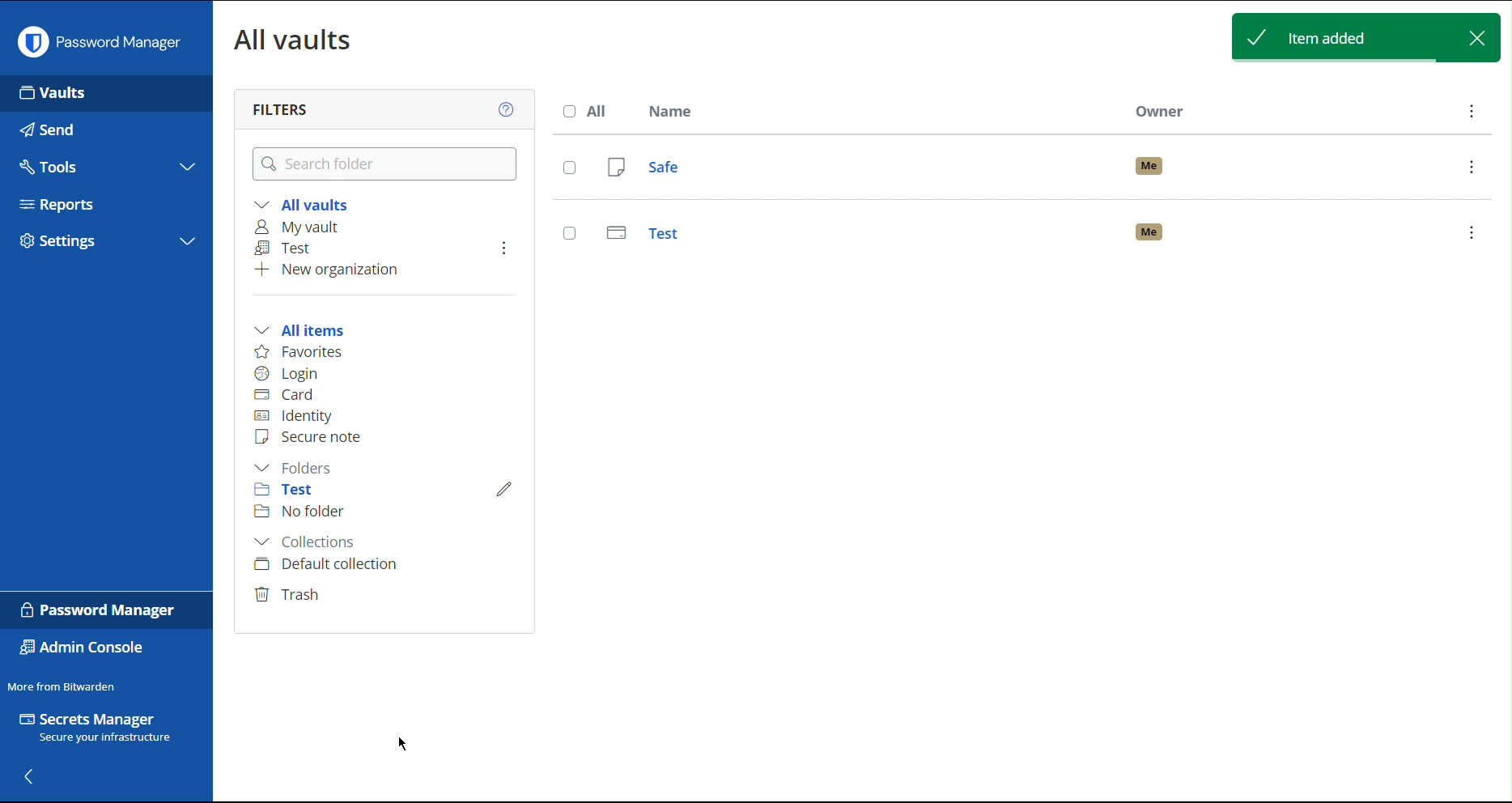 The width and height of the screenshot is (1512, 803). Describe the element at coordinates (31, 775) in the screenshot. I see `Back` at that location.